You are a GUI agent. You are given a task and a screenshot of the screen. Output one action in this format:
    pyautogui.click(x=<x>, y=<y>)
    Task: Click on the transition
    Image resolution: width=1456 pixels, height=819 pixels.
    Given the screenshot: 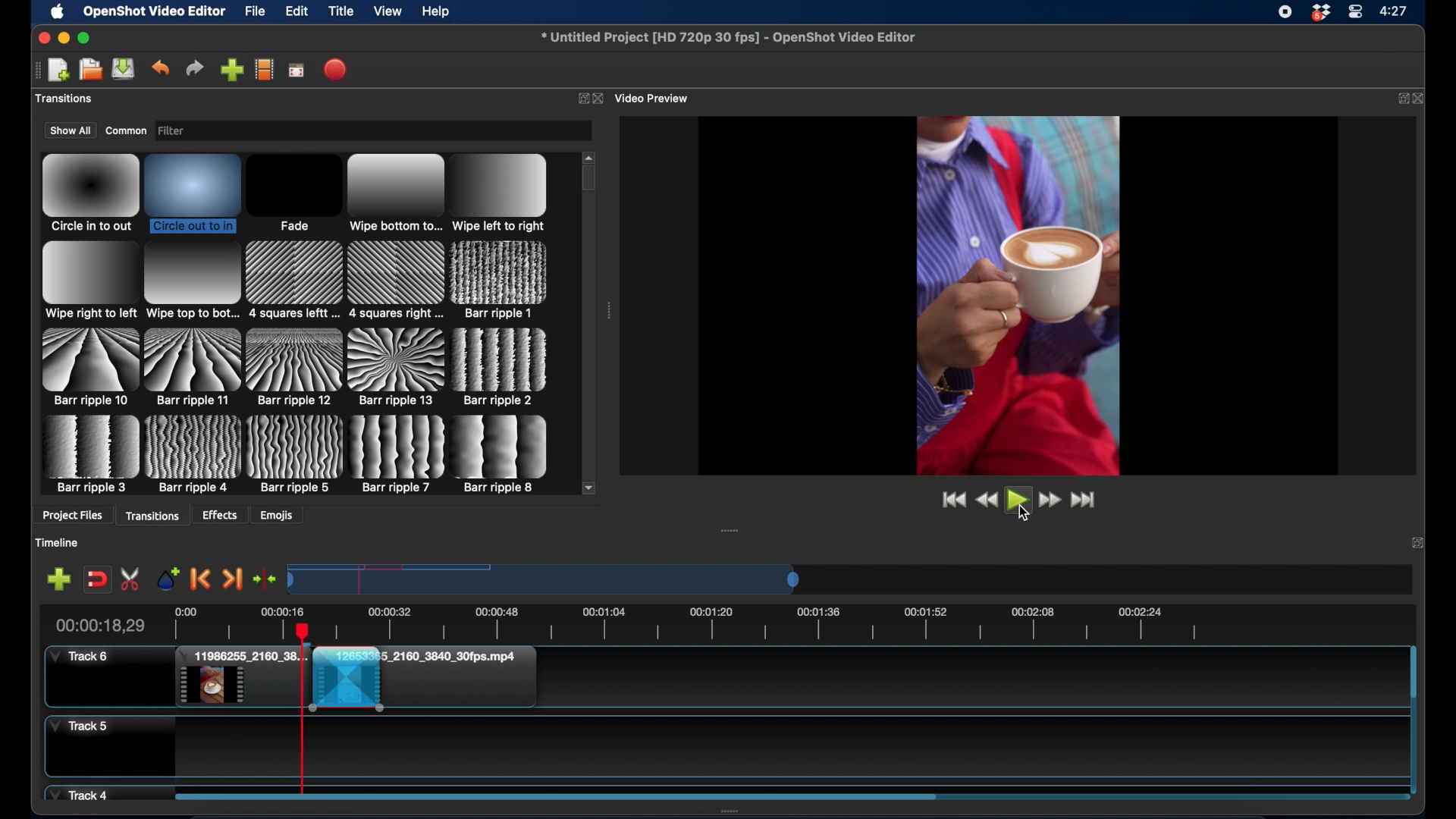 What is the action you would take?
    pyautogui.click(x=194, y=454)
    